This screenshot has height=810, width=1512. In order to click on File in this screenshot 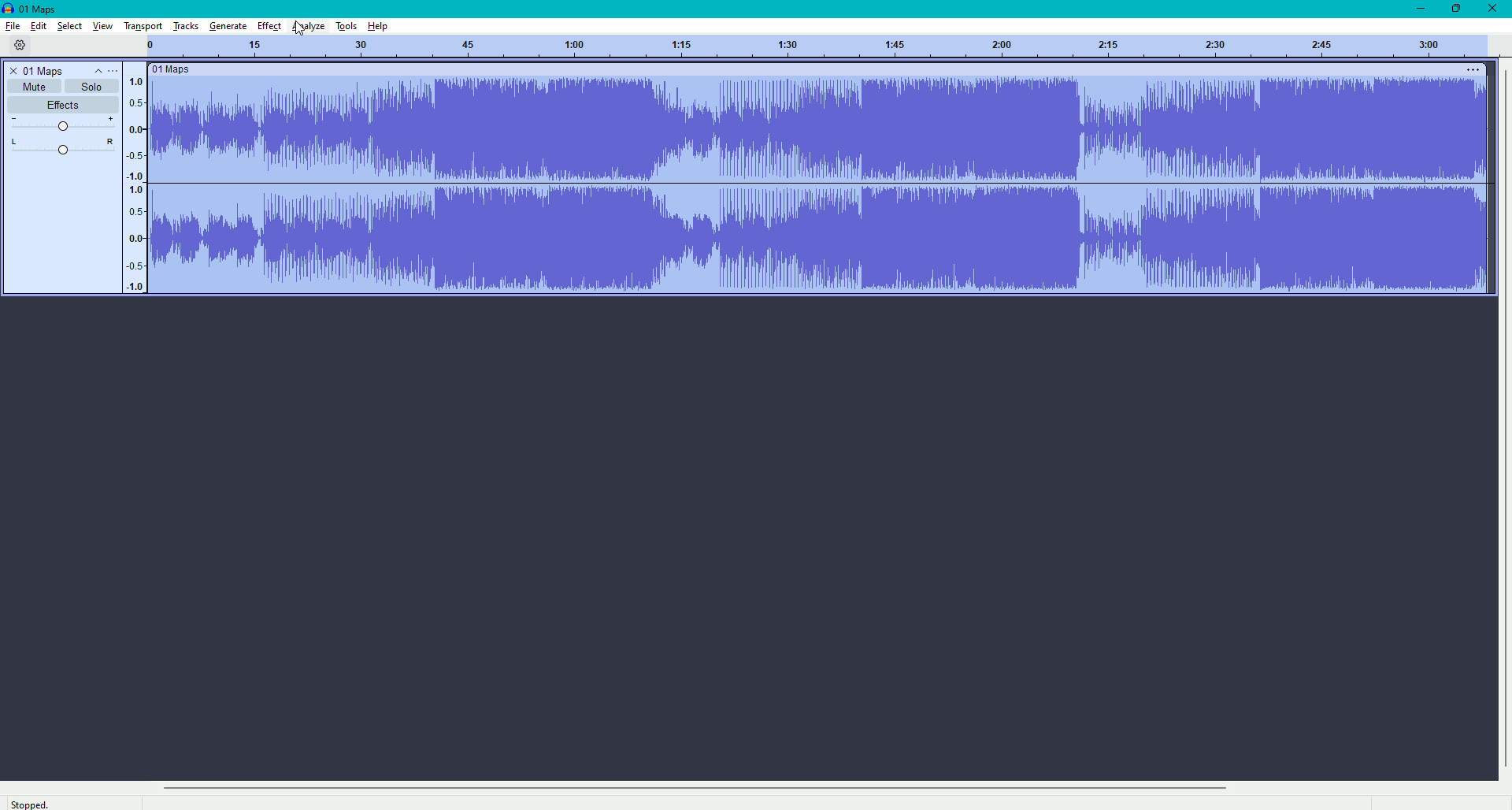, I will do `click(13, 27)`.